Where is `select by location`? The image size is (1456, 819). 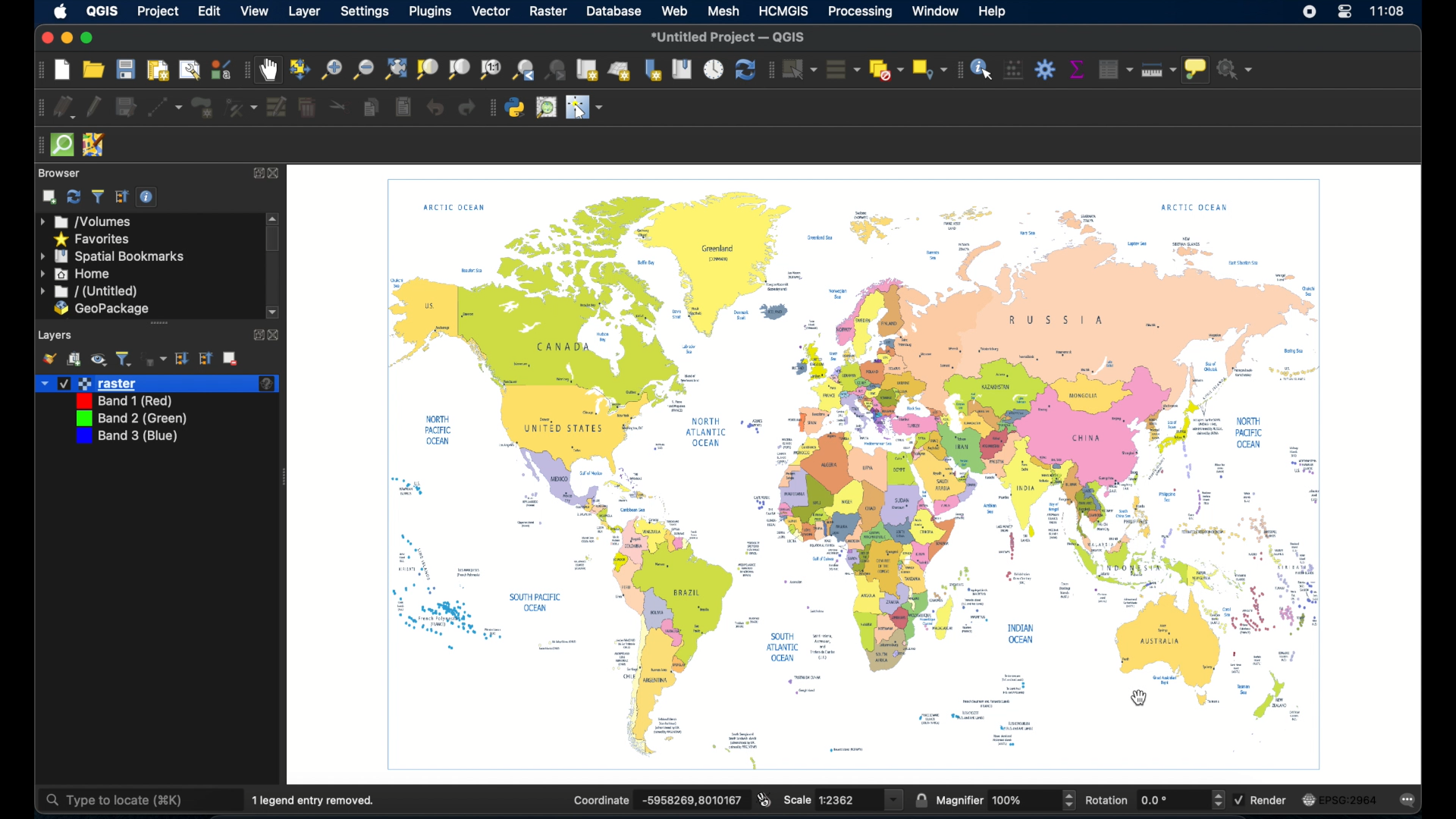 select by location is located at coordinates (927, 69).